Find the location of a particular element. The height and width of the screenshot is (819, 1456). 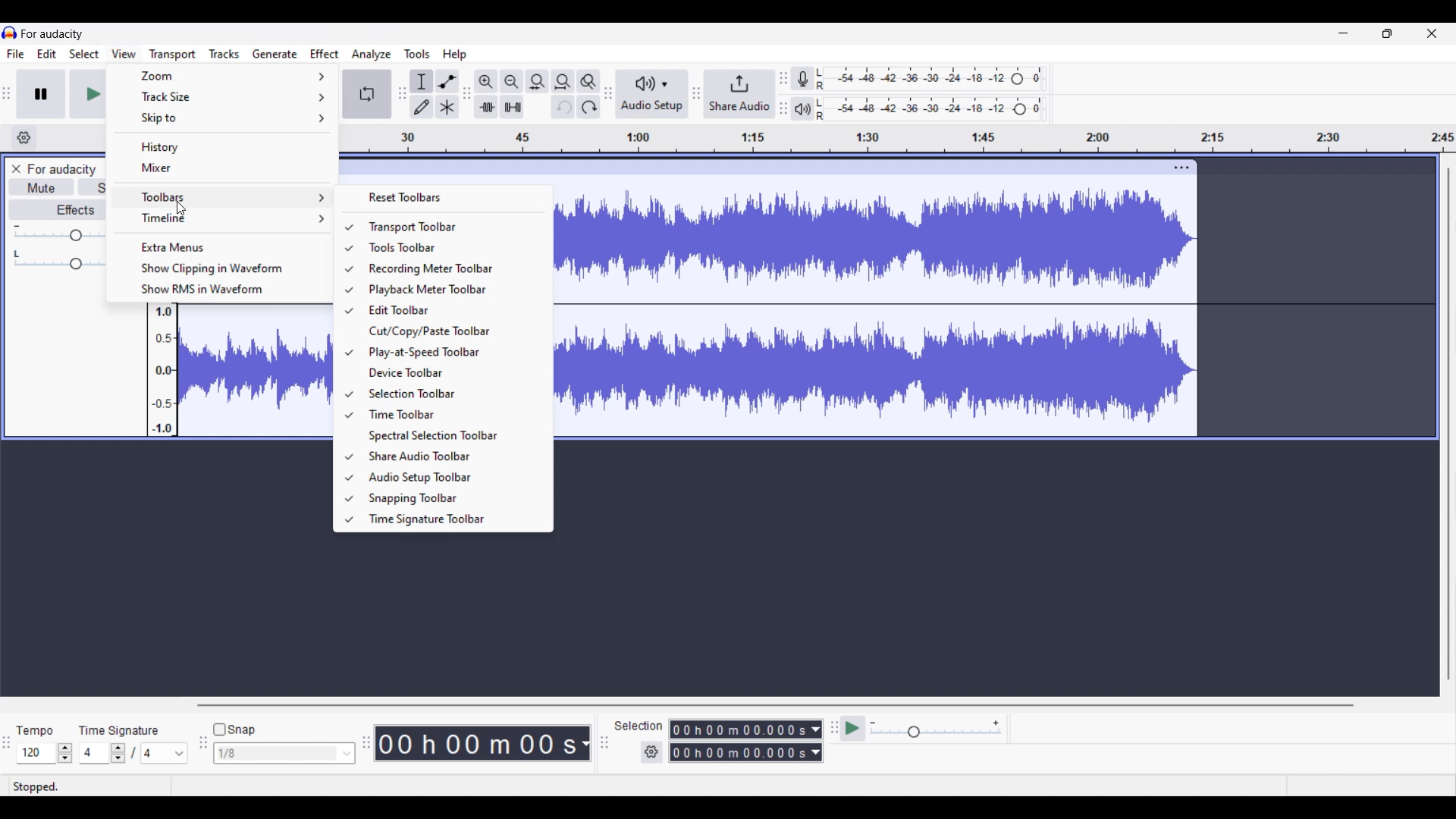

Selection toolbar is located at coordinates (451, 394).